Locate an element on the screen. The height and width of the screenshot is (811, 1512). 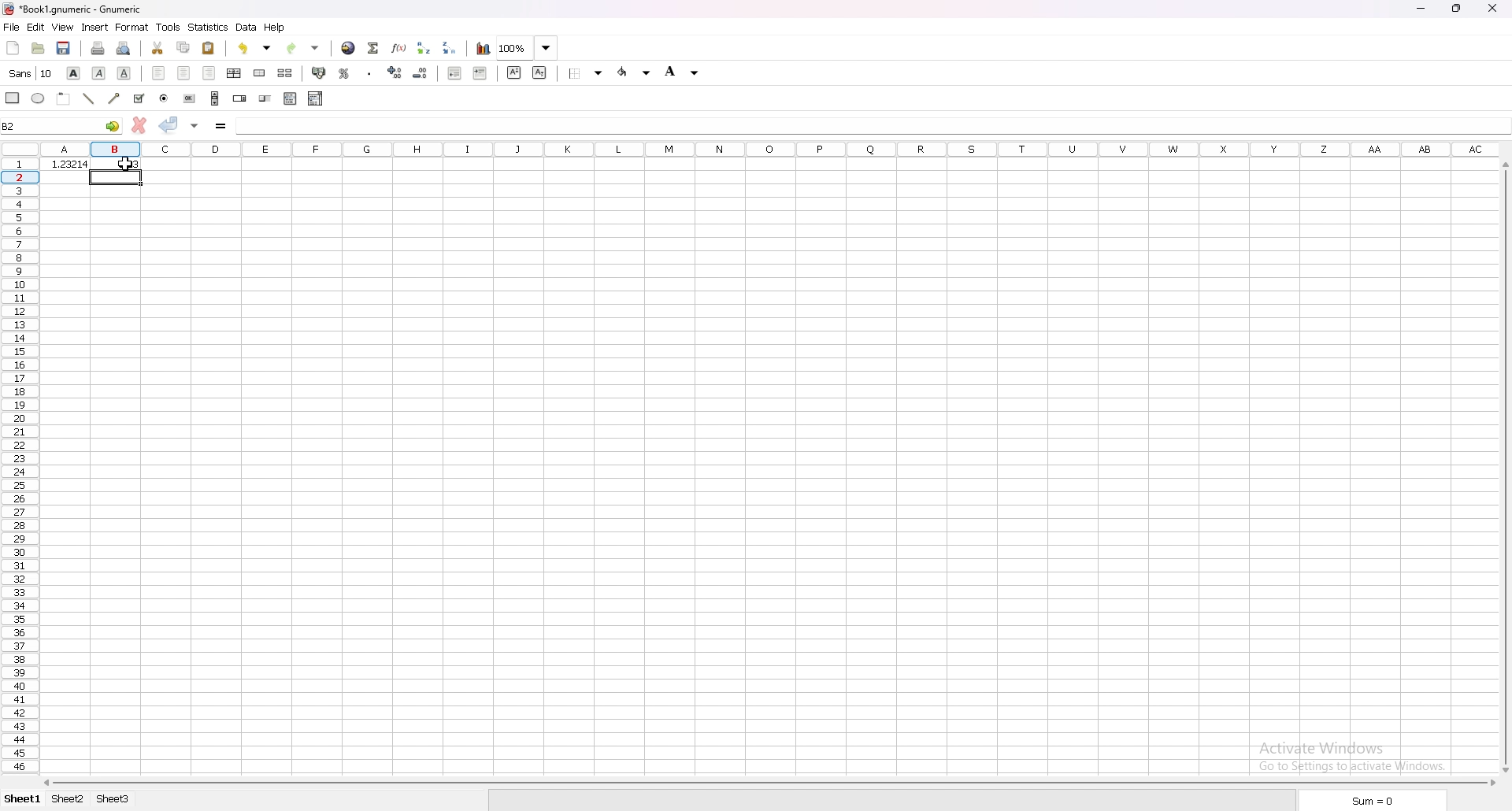
chart is located at coordinates (484, 49).